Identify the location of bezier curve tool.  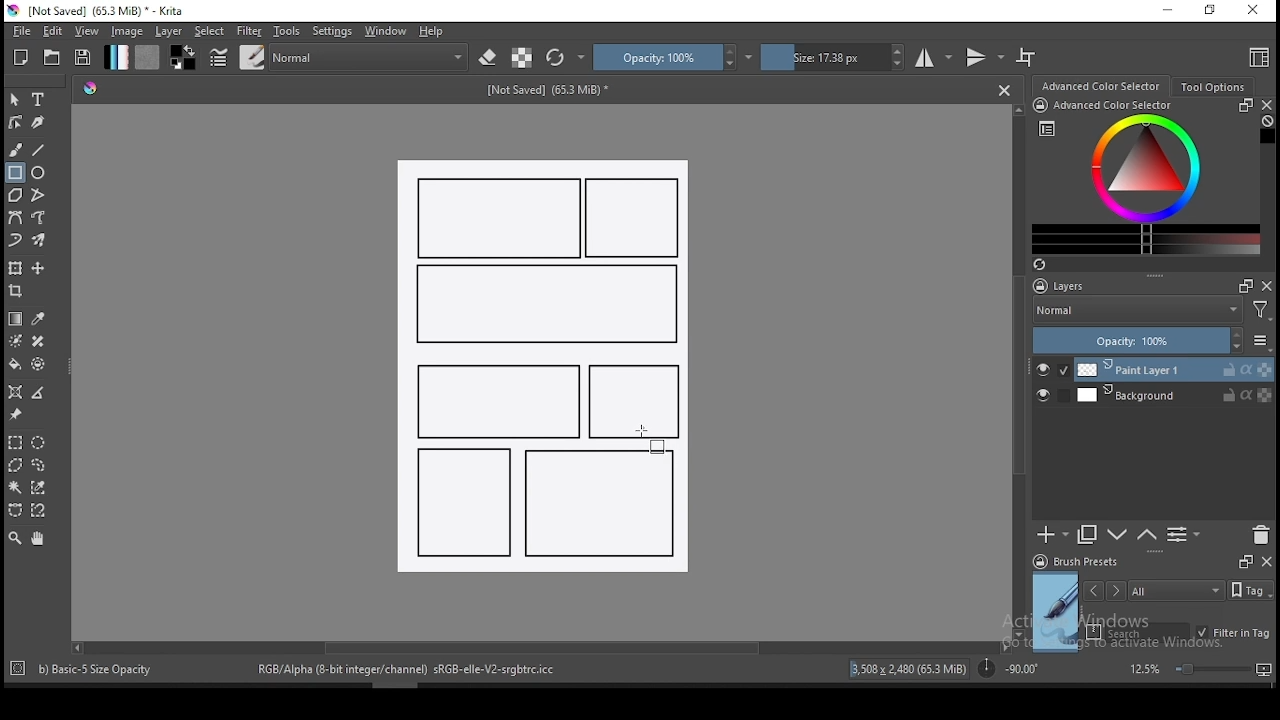
(14, 219).